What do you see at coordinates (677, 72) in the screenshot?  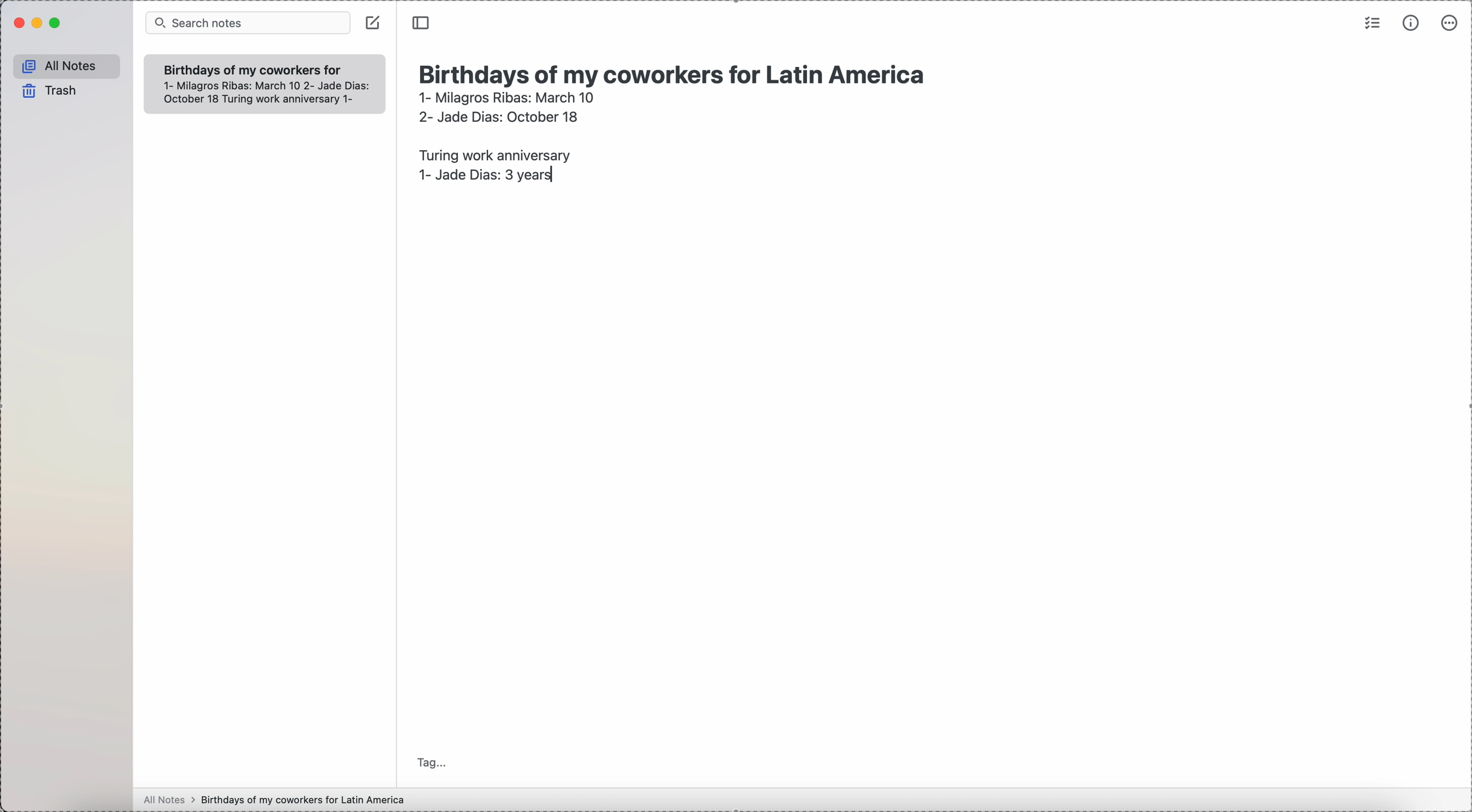 I see `Birthdays of my coworkers for Latin America` at bounding box center [677, 72].